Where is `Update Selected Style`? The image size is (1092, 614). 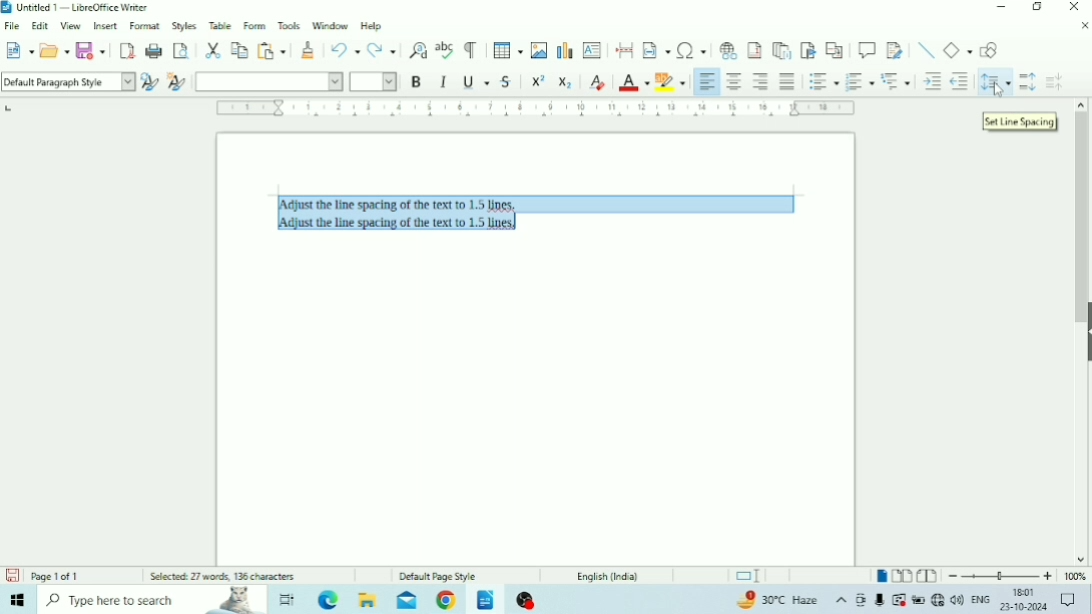 Update Selected Style is located at coordinates (149, 80).